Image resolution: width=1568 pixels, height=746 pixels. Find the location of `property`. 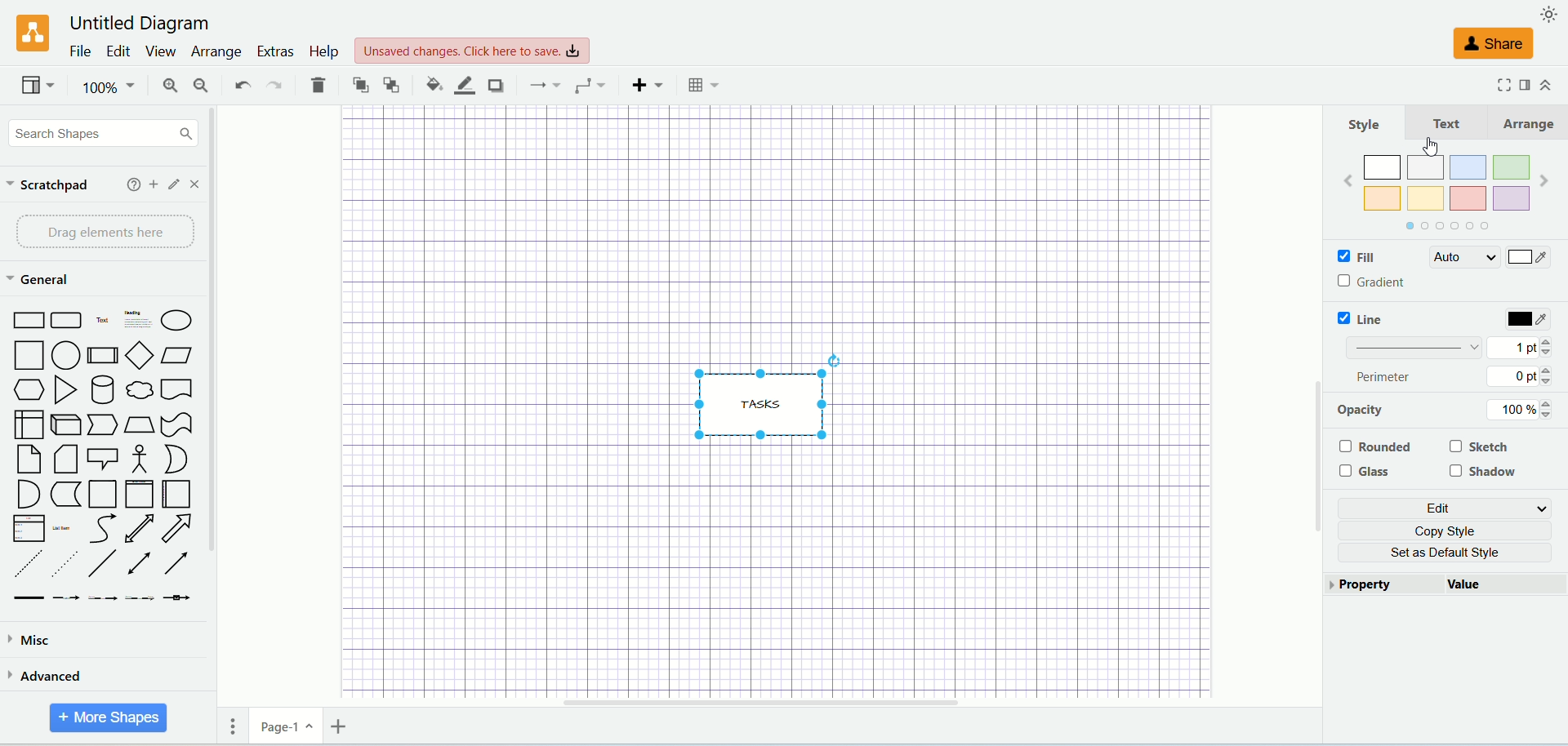

property is located at coordinates (1384, 583).